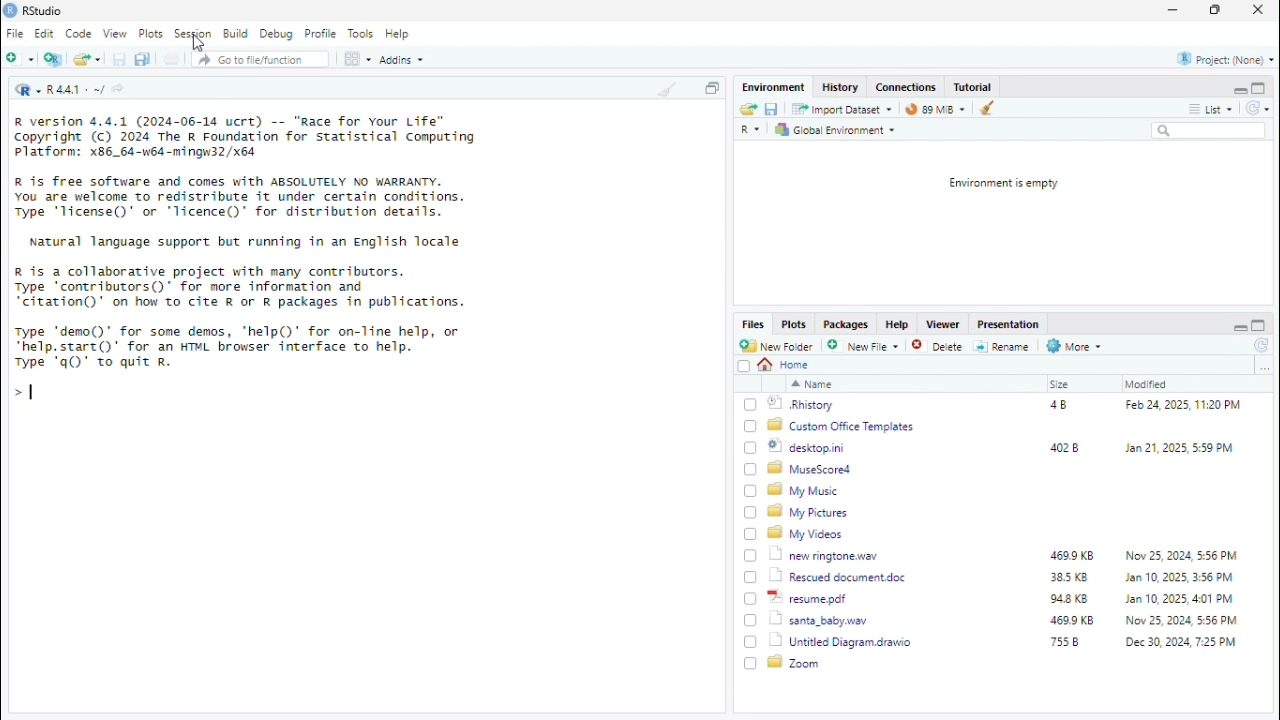 The height and width of the screenshot is (720, 1280). I want to click on Files, so click(754, 323).